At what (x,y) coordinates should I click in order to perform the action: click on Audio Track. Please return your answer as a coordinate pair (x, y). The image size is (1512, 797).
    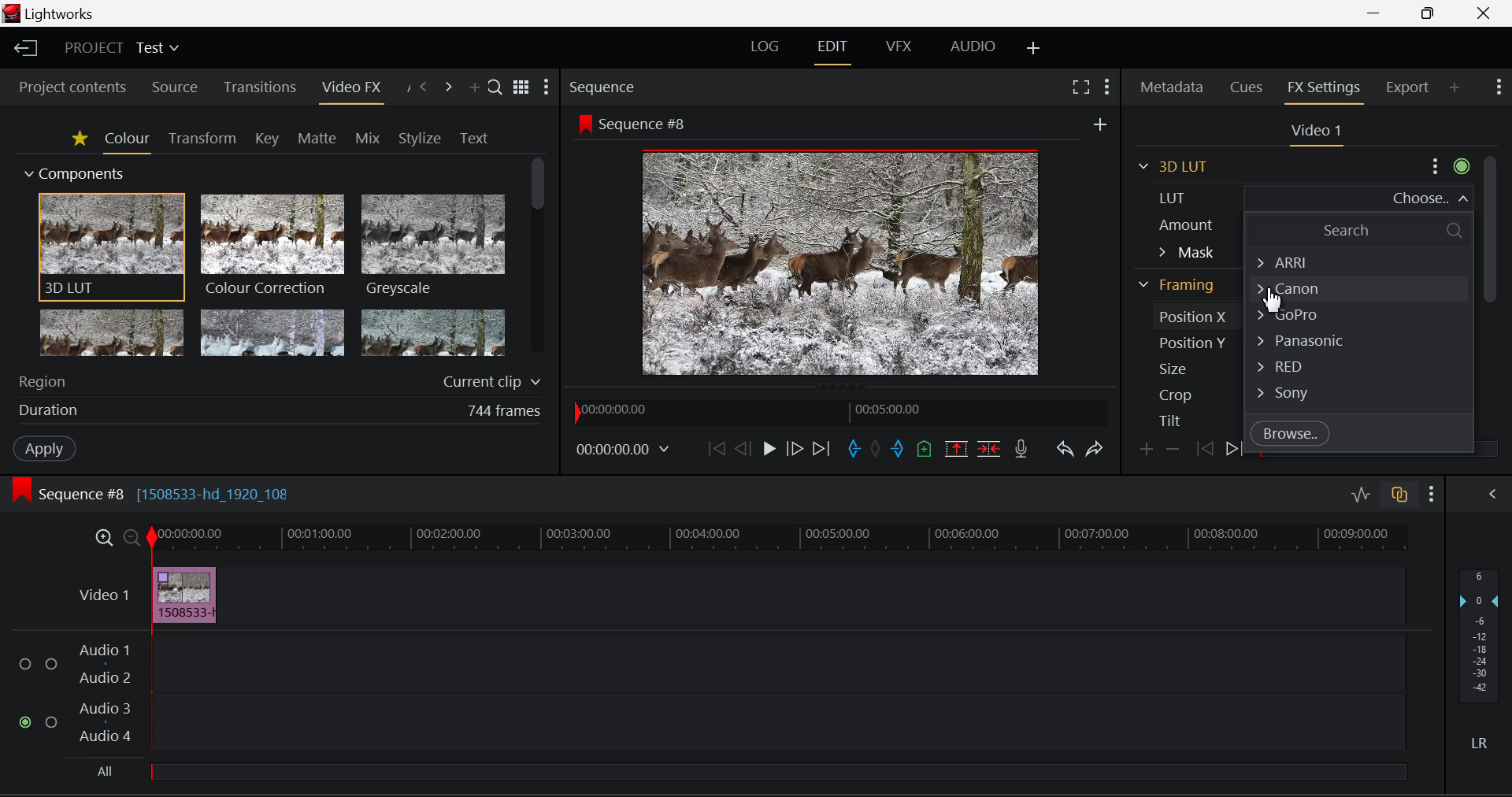
    Looking at the image, I should click on (779, 720).